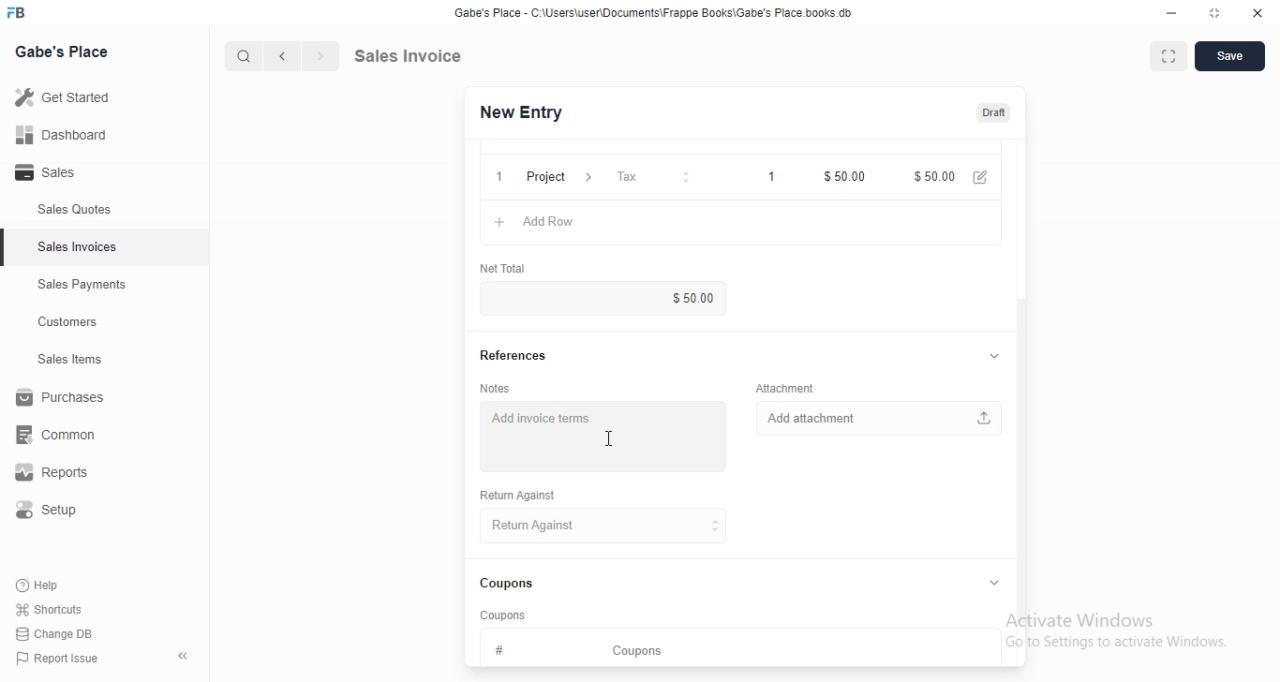 The width and height of the screenshot is (1280, 682). I want to click on PP Report Issue., so click(64, 662).